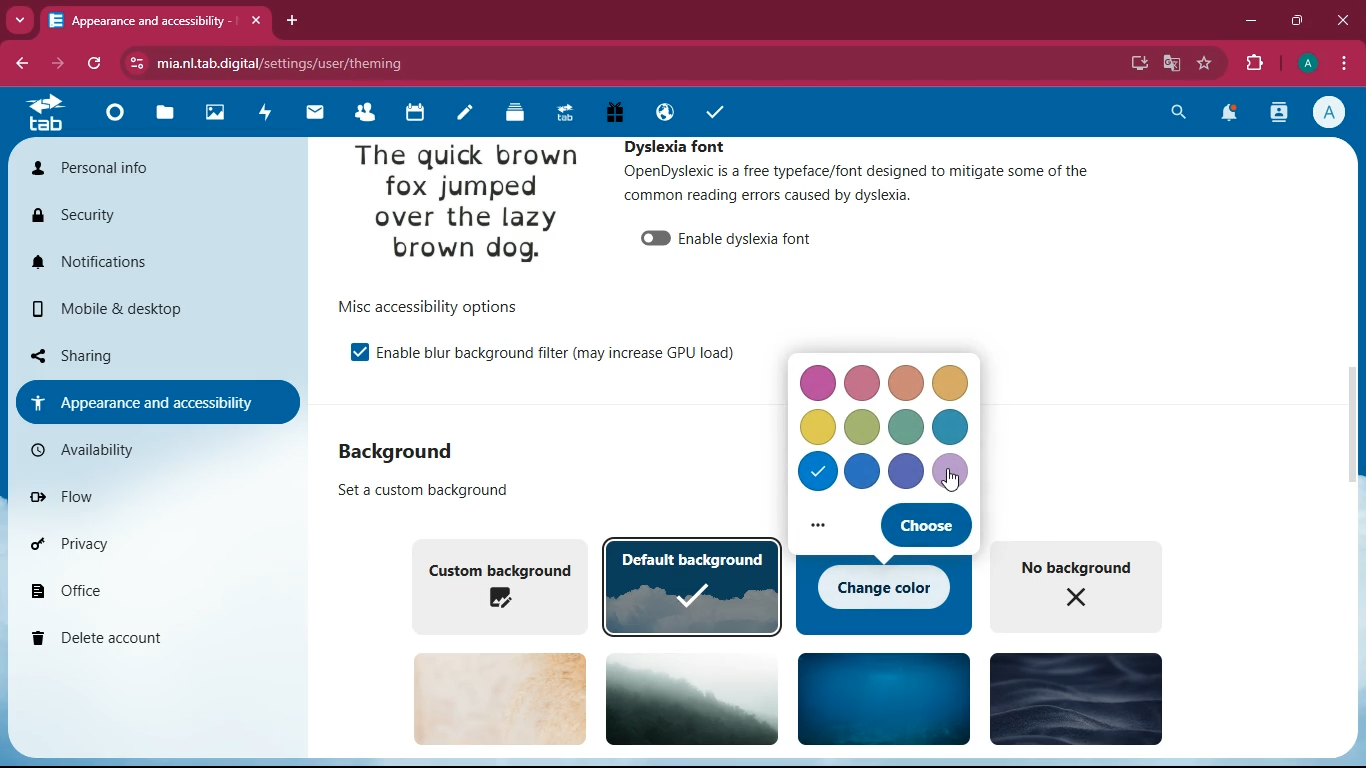 Image resolution: width=1366 pixels, height=768 pixels. What do you see at coordinates (1299, 21) in the screenshot?
I see `maximize` at bounding box center [1299, 21].